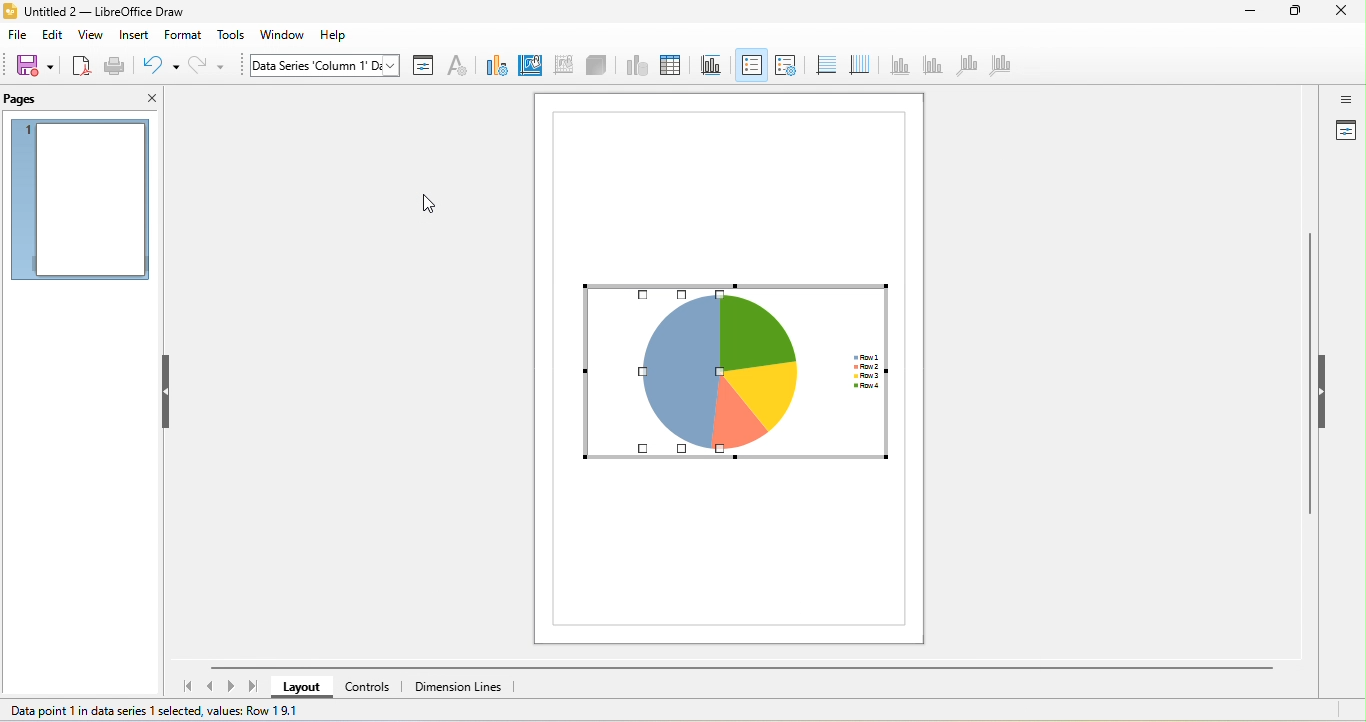 This screenshot has width=1366, height=722. What do you see at coordinates (427, 205) in the screenshot?
I see `cursor movement` at bounding box center [427, 205].